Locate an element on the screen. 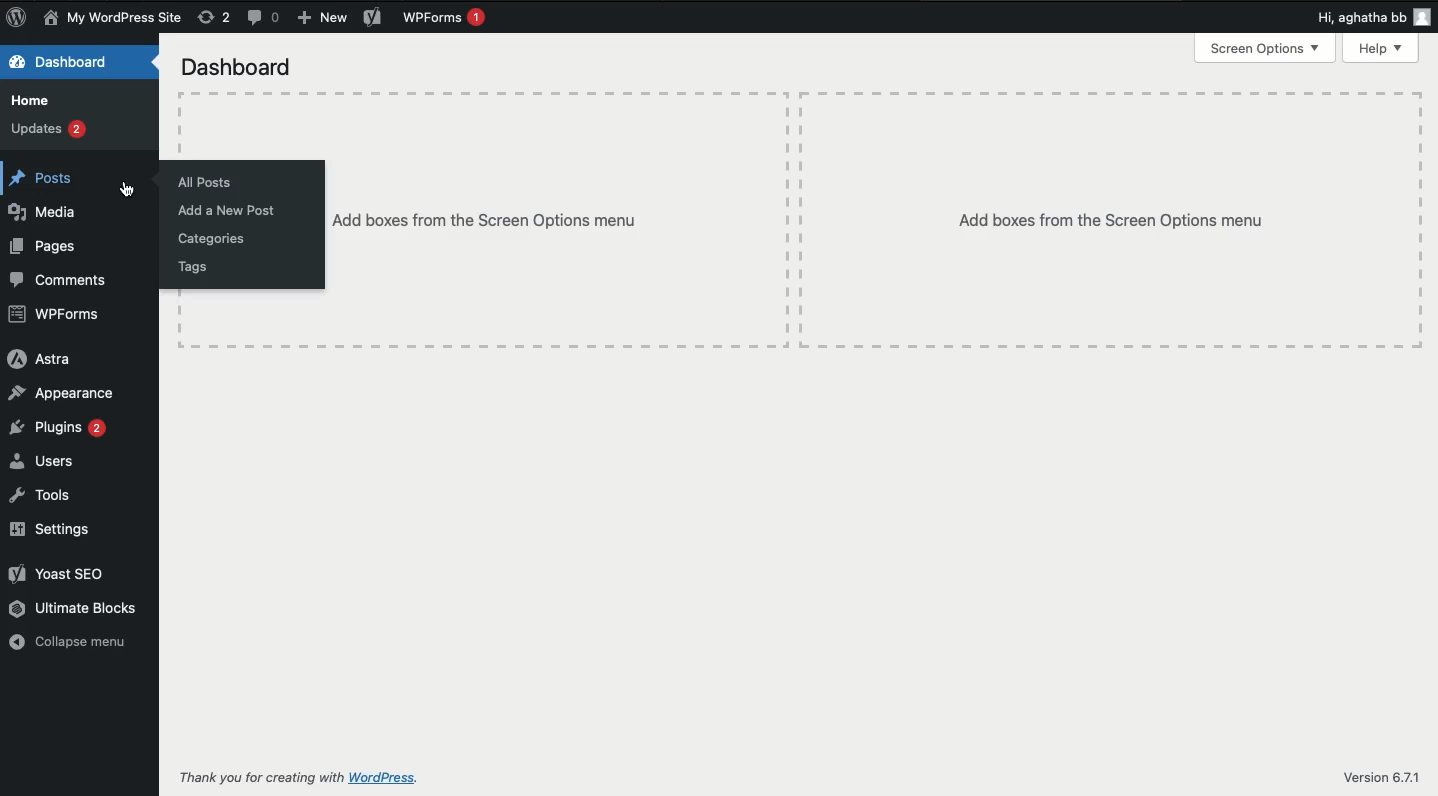 The width and height of the screenshot is (1438, 796). WPForms is located at coordinates (448, 19).